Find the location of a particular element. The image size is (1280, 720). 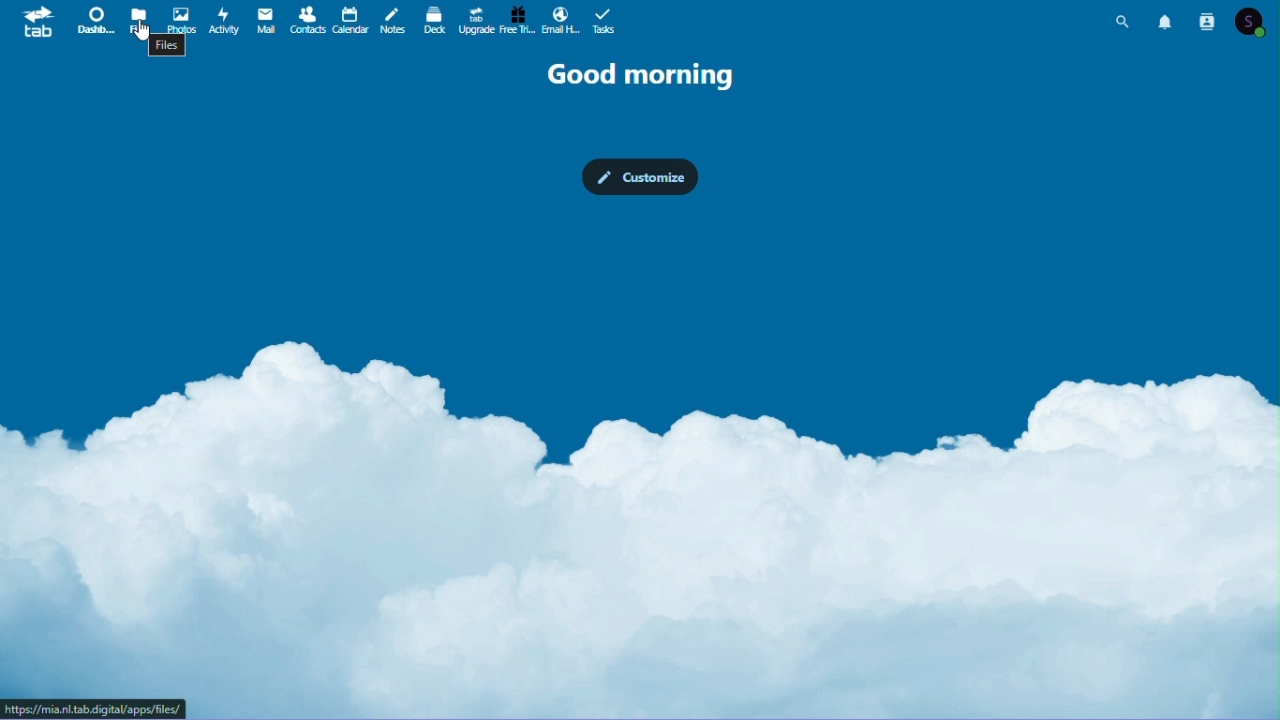

email hosting is located at coordinates (560, 21).